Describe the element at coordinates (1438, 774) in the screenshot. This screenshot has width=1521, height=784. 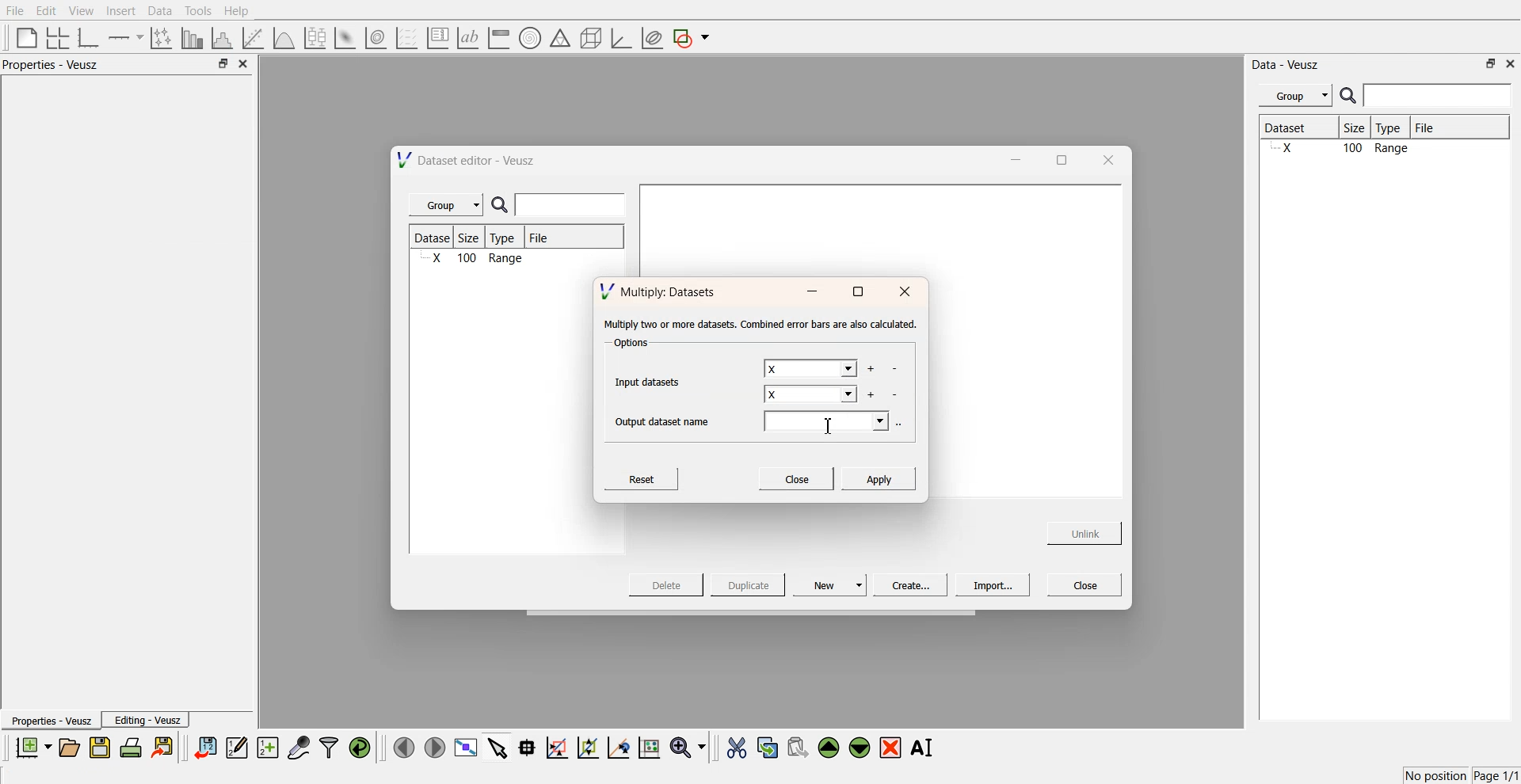
I see `No position` at that location.